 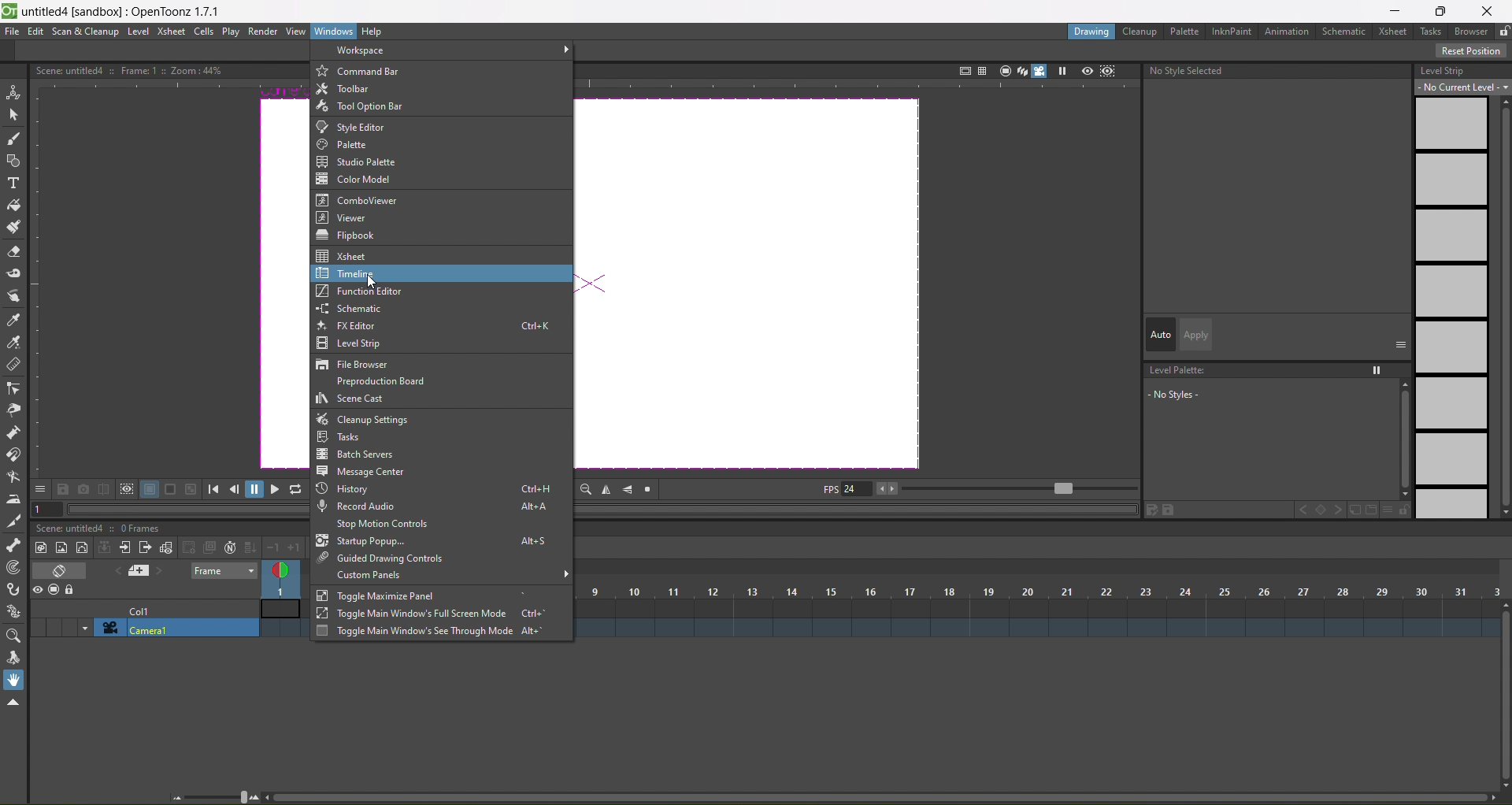 I want to click on inknpaint, so click(x=1232, y=30).